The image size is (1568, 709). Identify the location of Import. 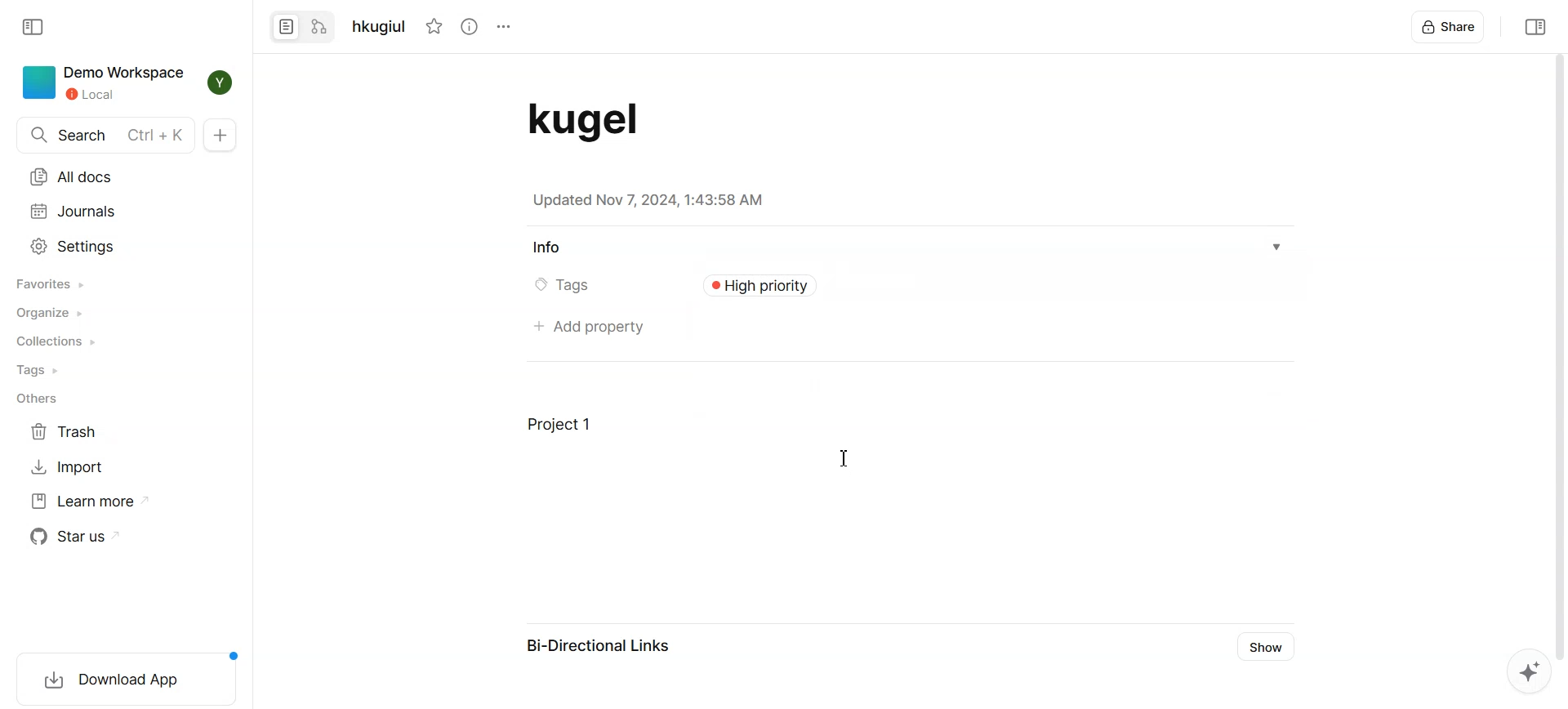
(69, 466).